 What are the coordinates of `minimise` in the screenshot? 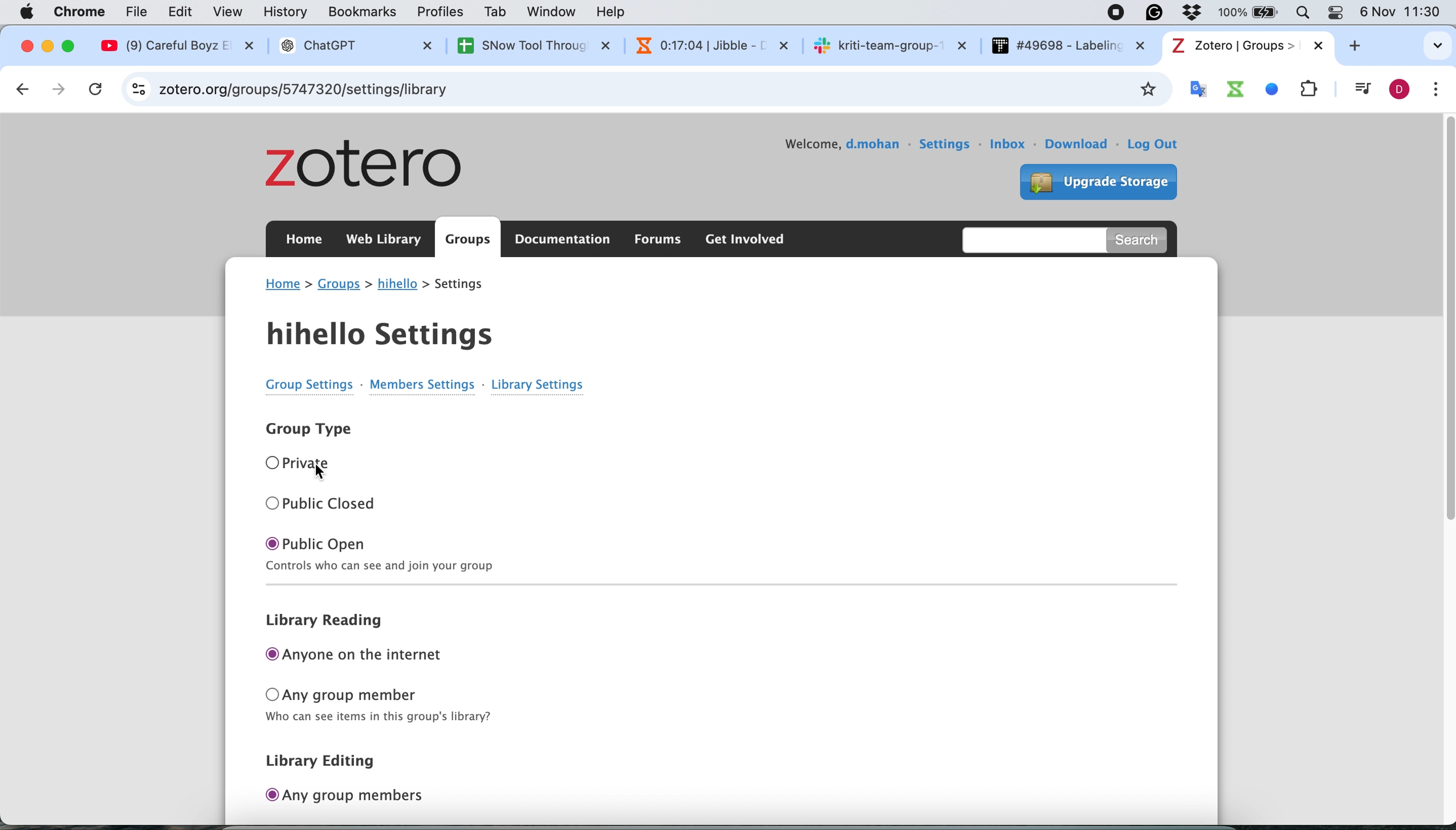 It's located at (48, 47).